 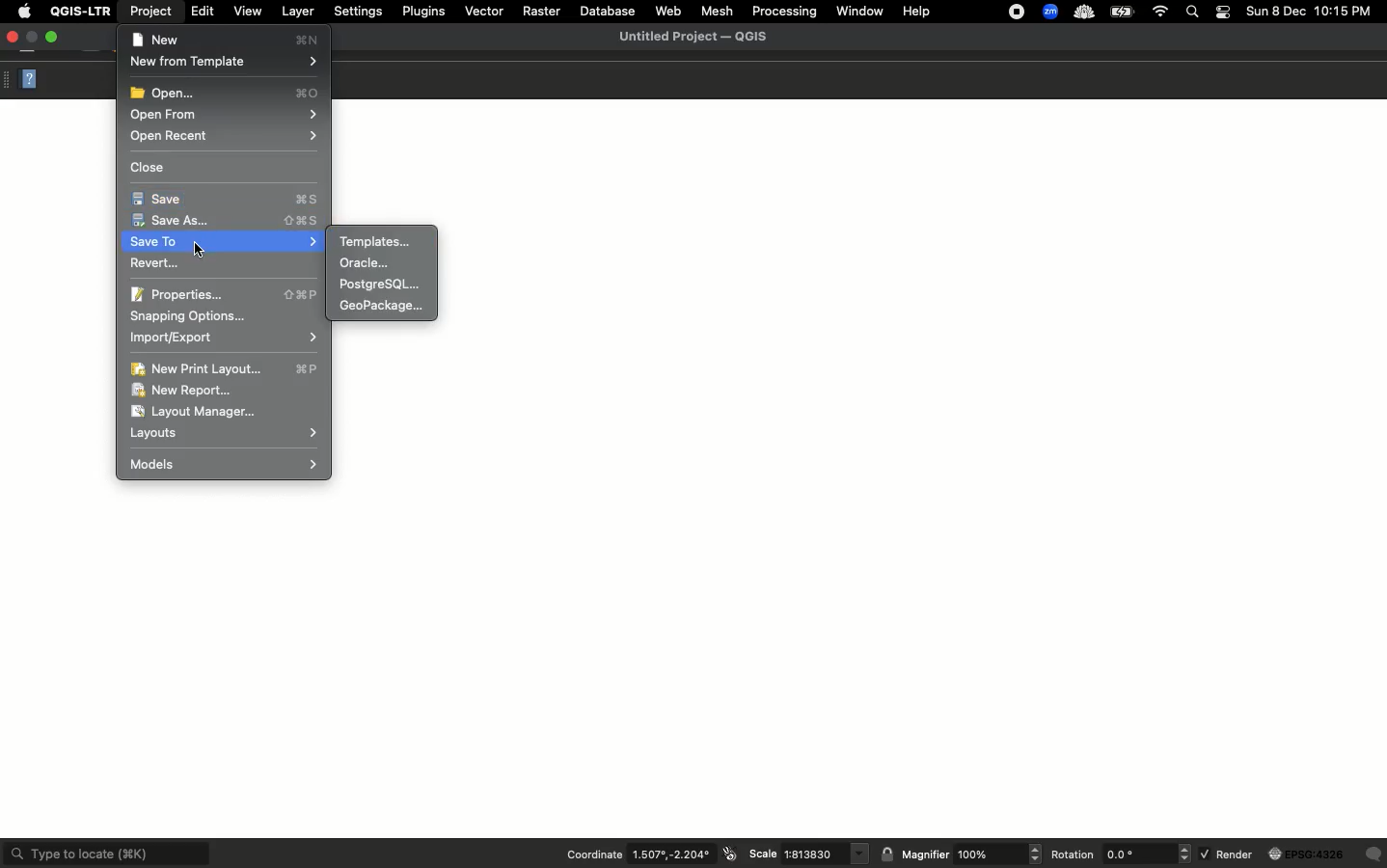 What do you see at coordinates (223, 116) in the screenshot?
I see `Open from` at bounding box center [223, 116].